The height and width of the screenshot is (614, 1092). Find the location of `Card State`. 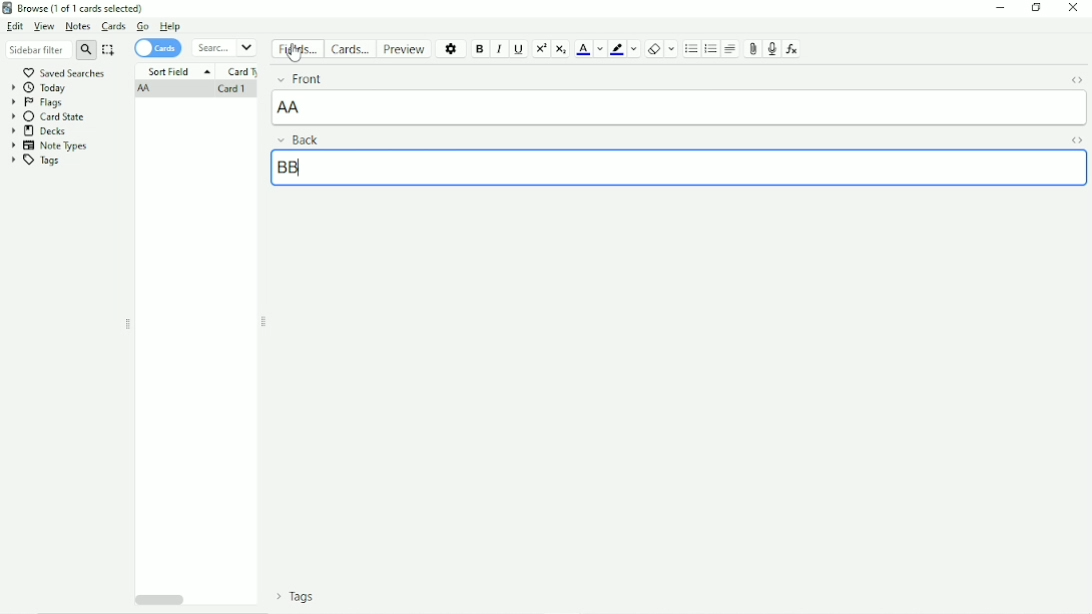

Card State is located at coordinates (51, 117).